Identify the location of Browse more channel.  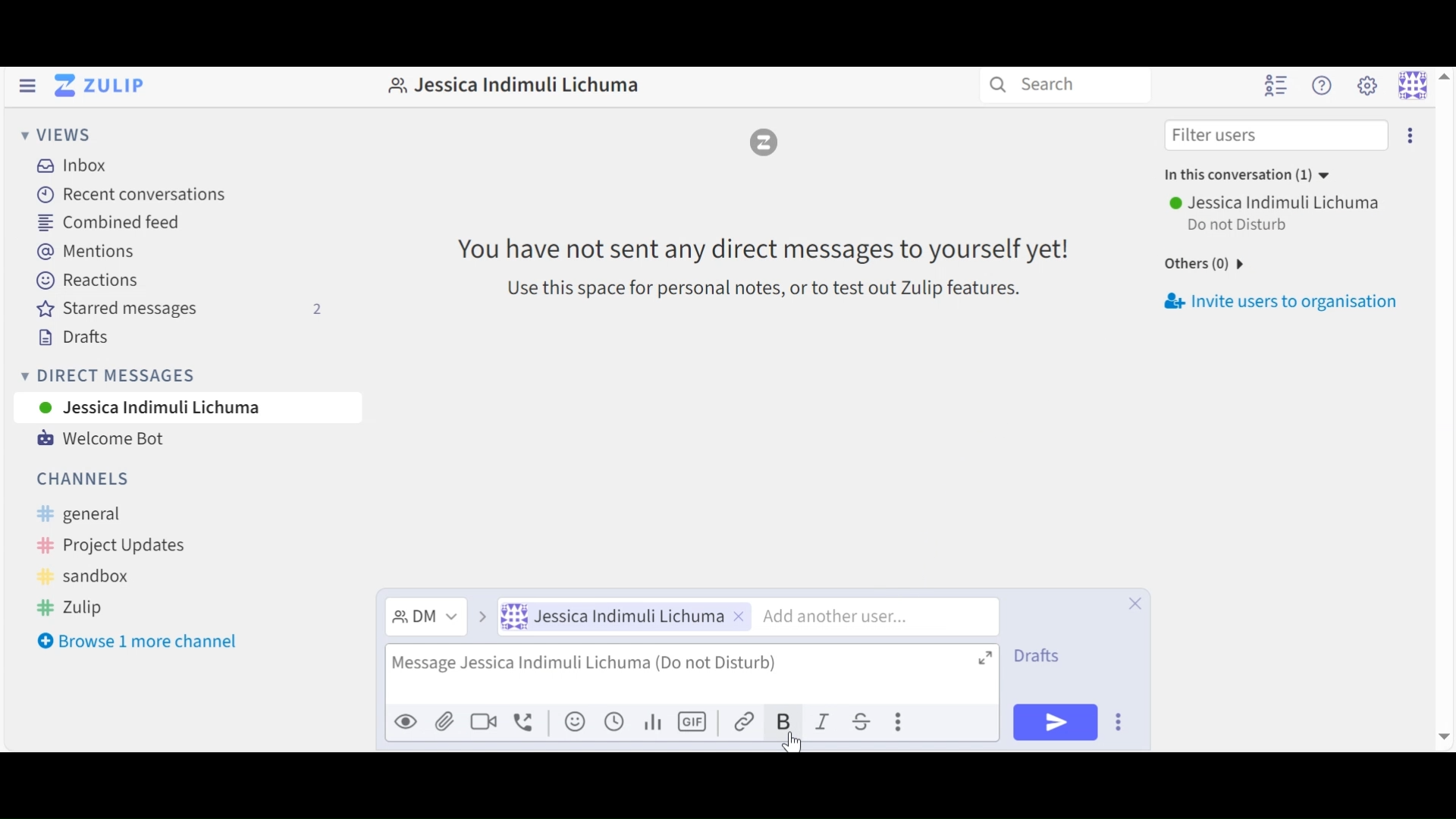
(137, 644).